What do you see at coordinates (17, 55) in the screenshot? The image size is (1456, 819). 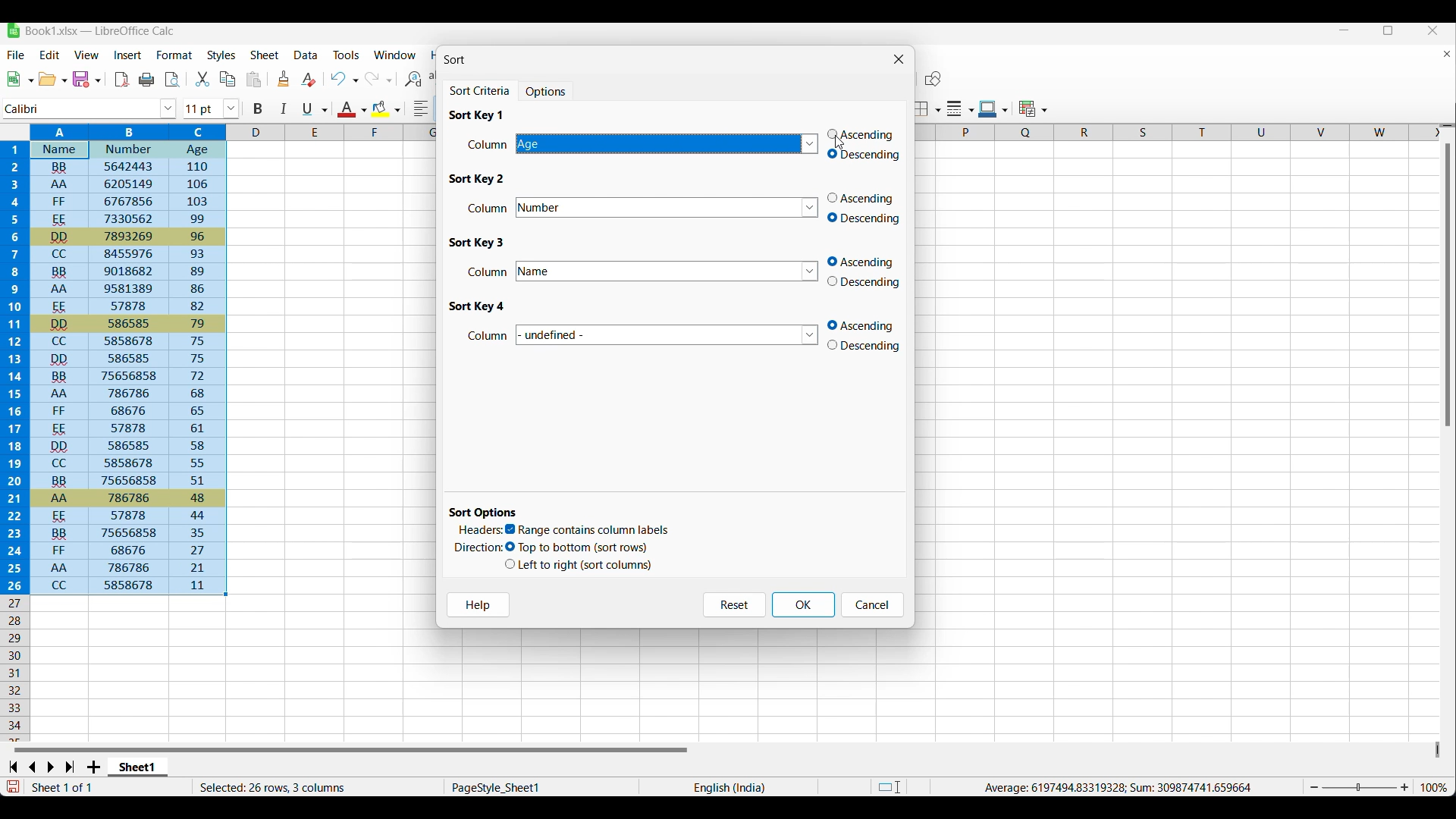 I see `File menu` at bounding box center [17, 55].